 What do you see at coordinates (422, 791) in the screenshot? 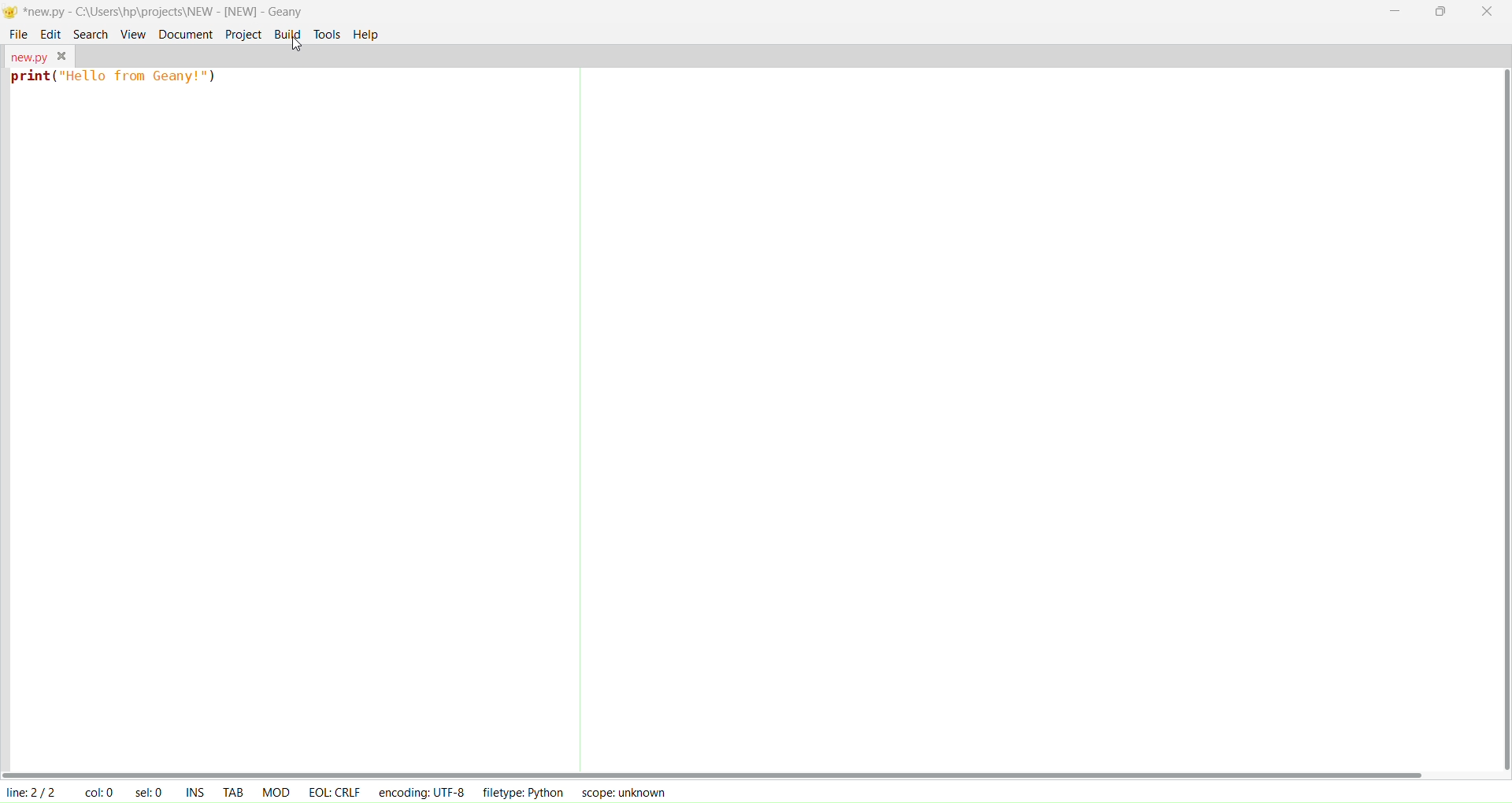
I see `encoding: UTF -8` at bounding box center [422, 791].